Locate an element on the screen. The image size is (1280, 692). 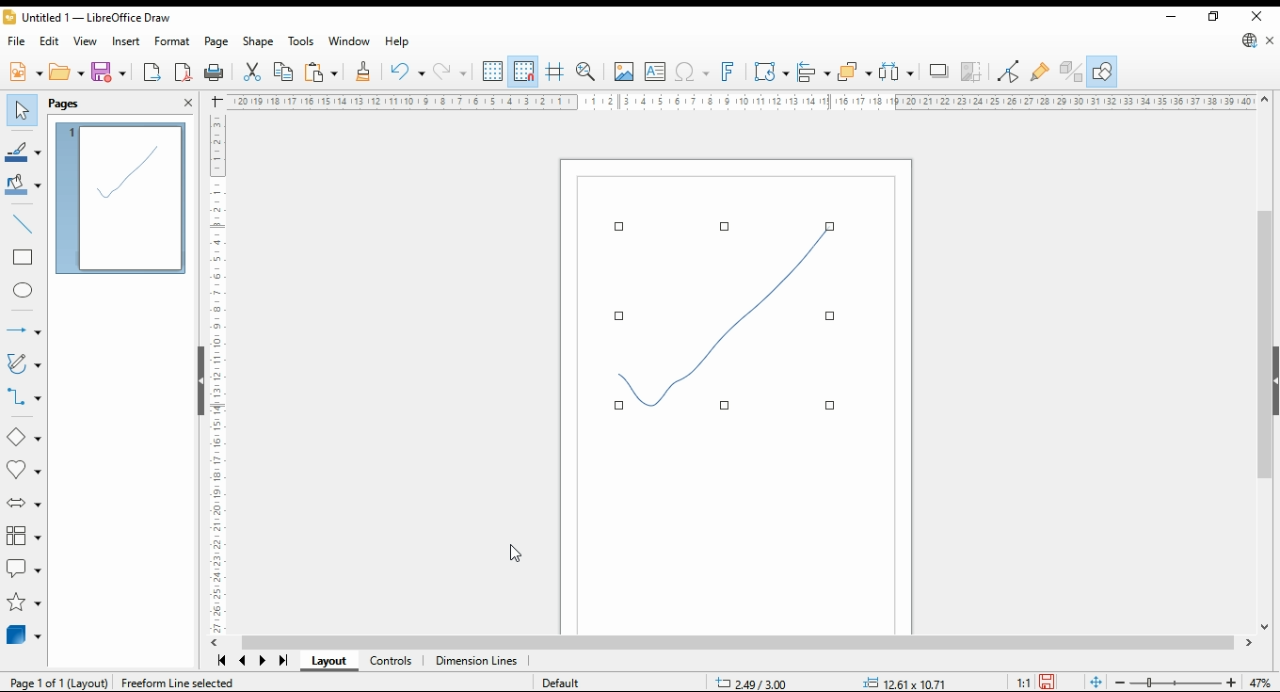
file is located at coordinates (15, 41).